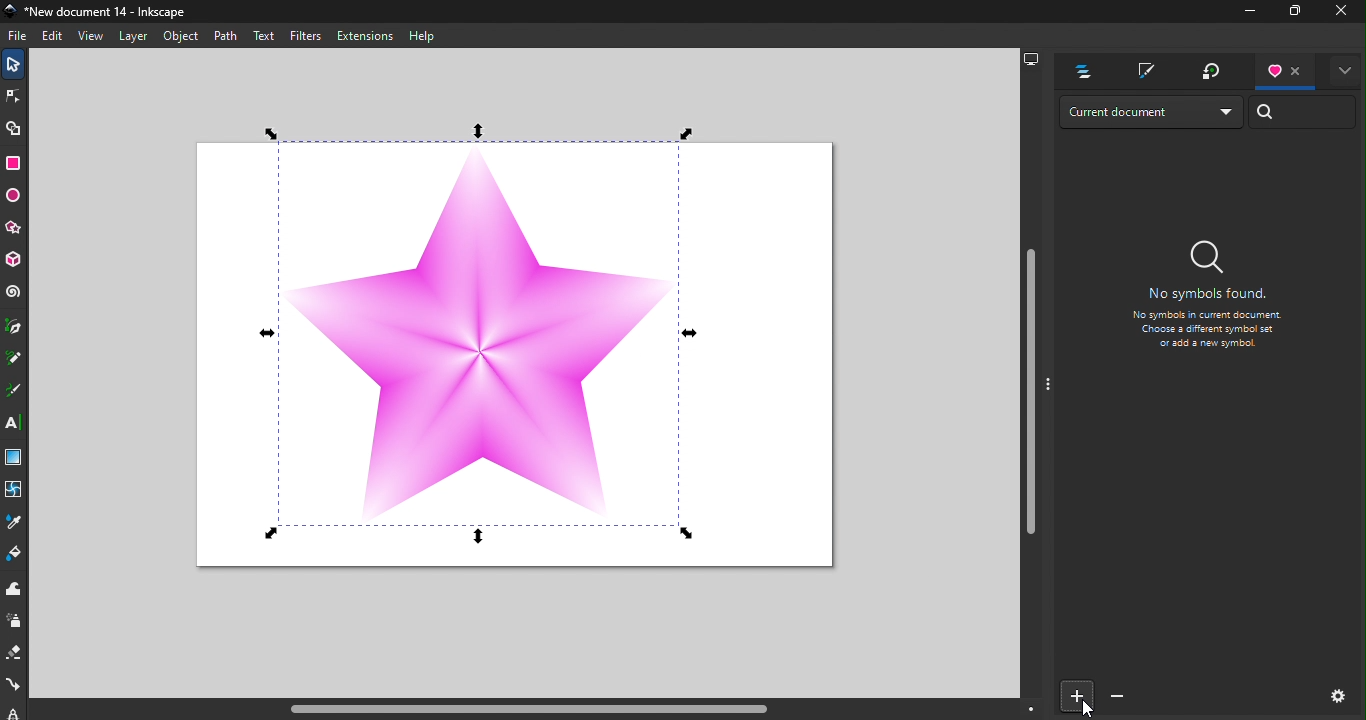 The image size is (1366, 720). Describe the element at coordinates (1112, 697) in the screenshot. I see `Convert selected symbol to object` at that location.